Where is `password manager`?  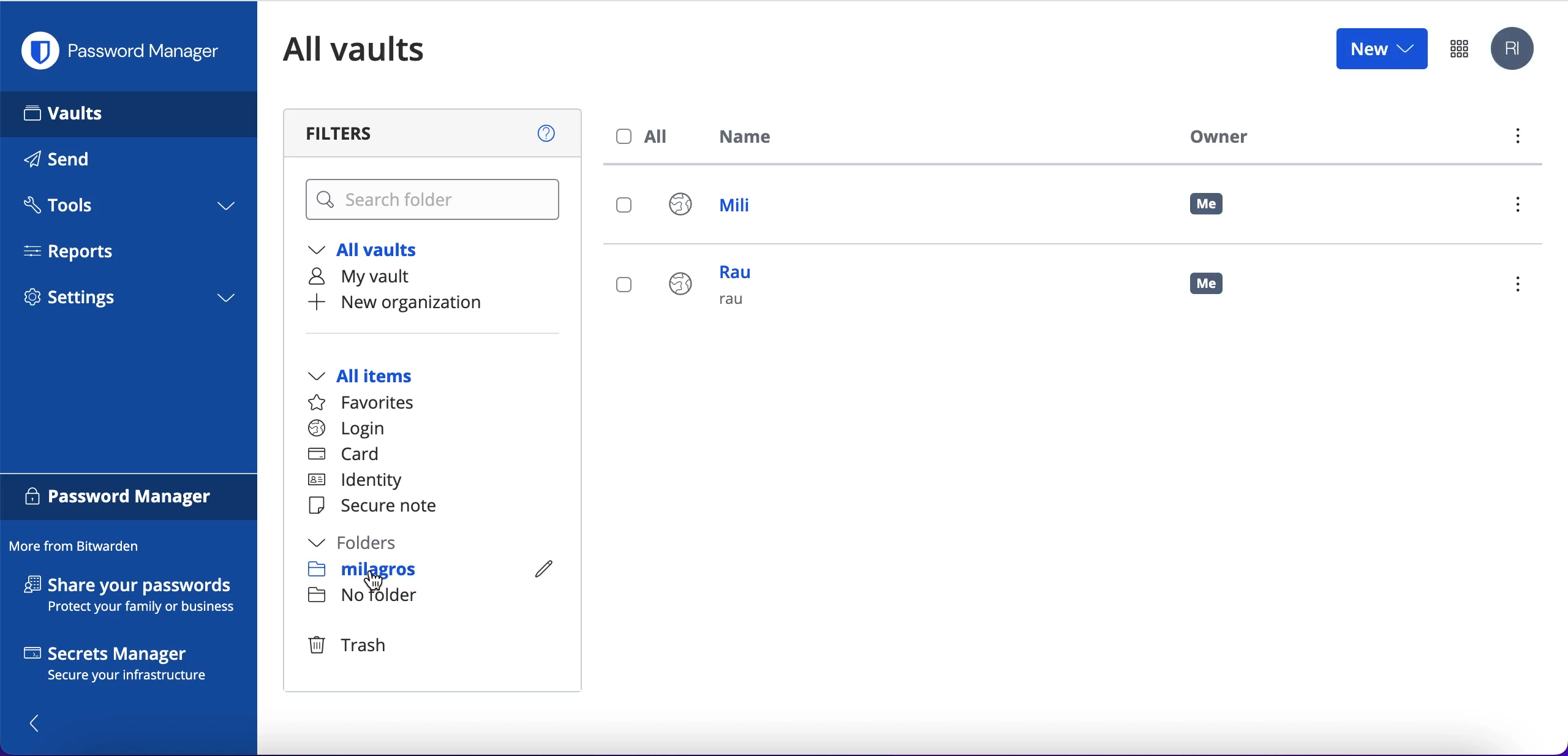
password manager is located at coordinates (129, 499).